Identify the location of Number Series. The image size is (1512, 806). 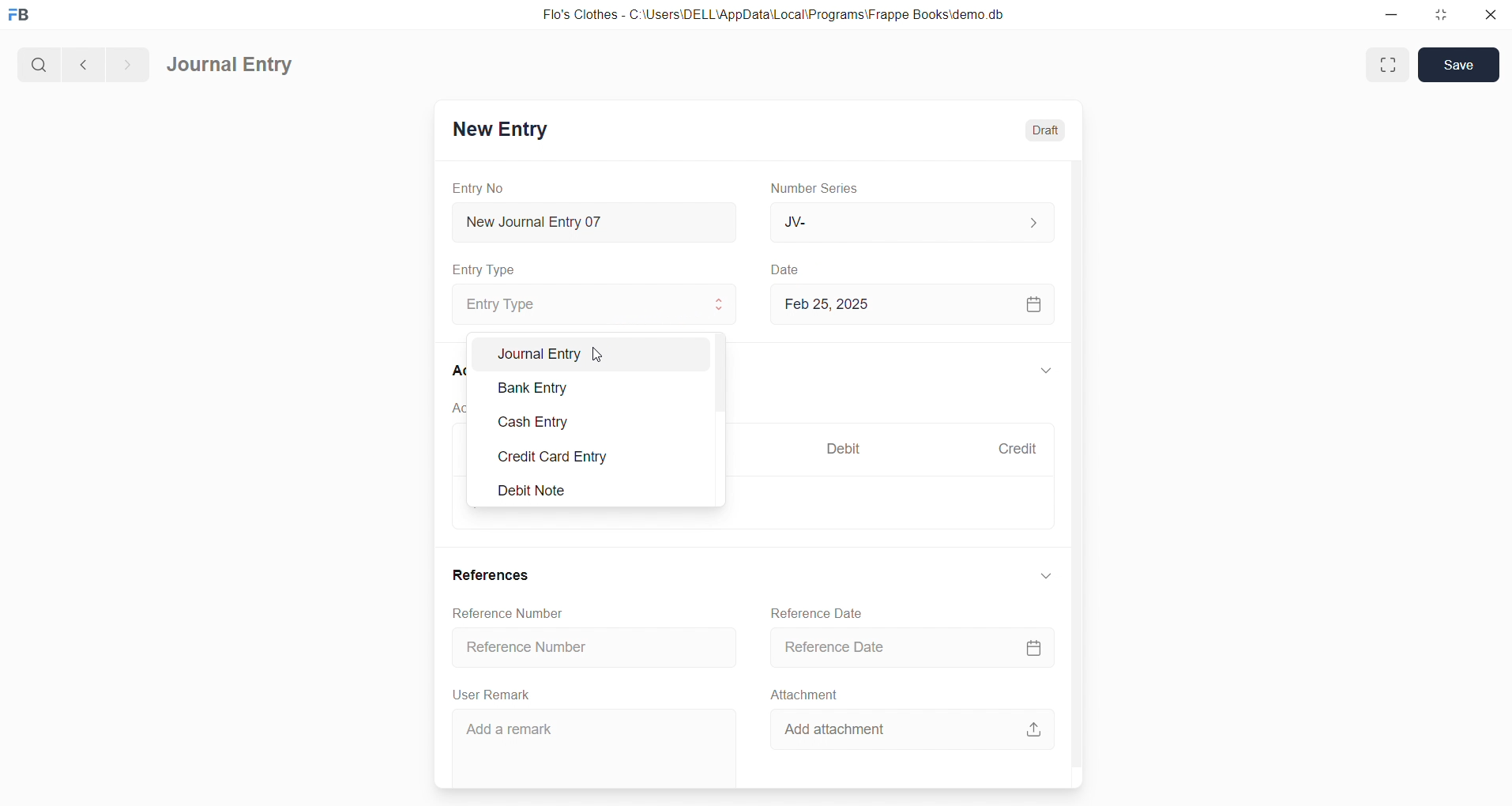
(819, 189).